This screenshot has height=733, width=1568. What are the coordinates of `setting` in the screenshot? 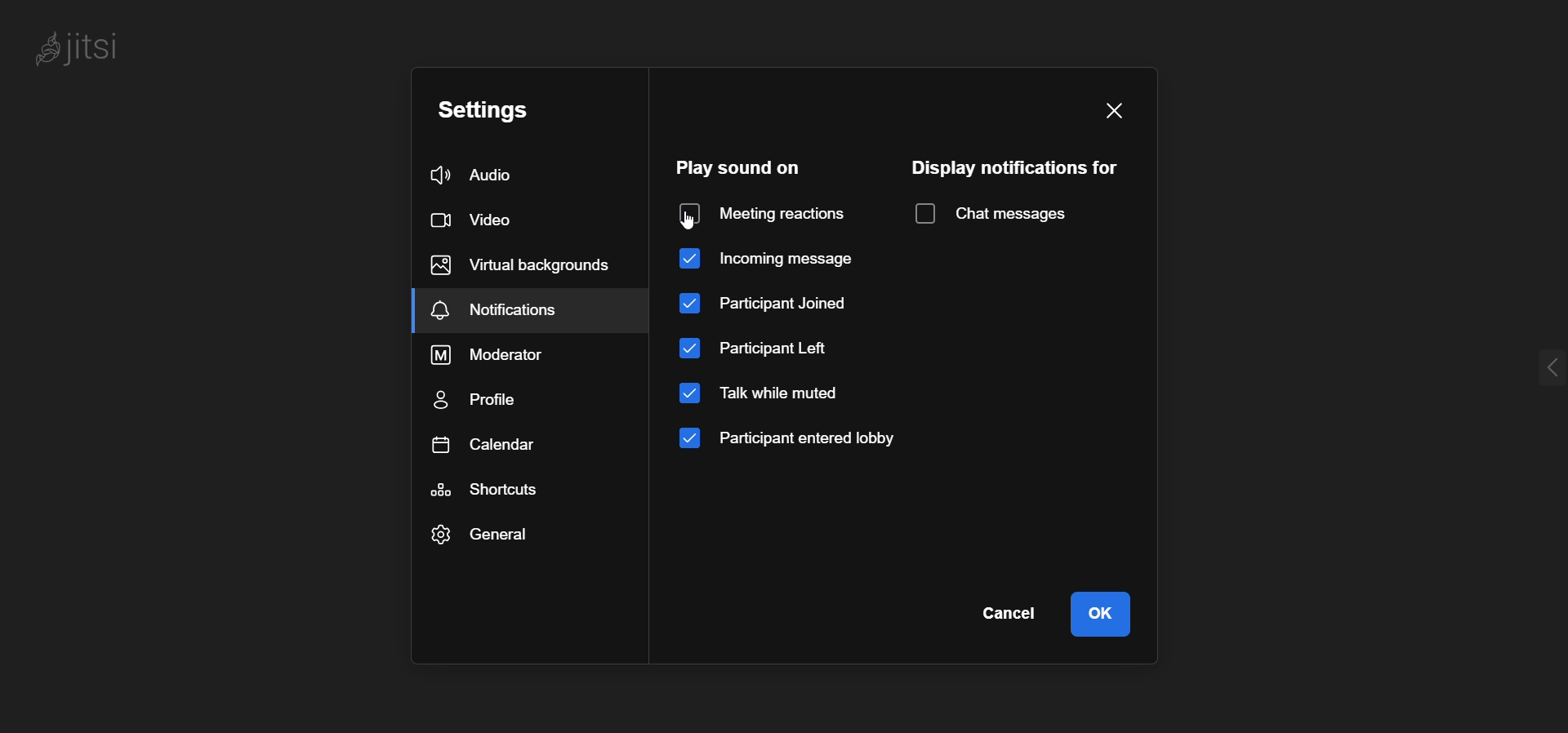 It's located at (482, 110).